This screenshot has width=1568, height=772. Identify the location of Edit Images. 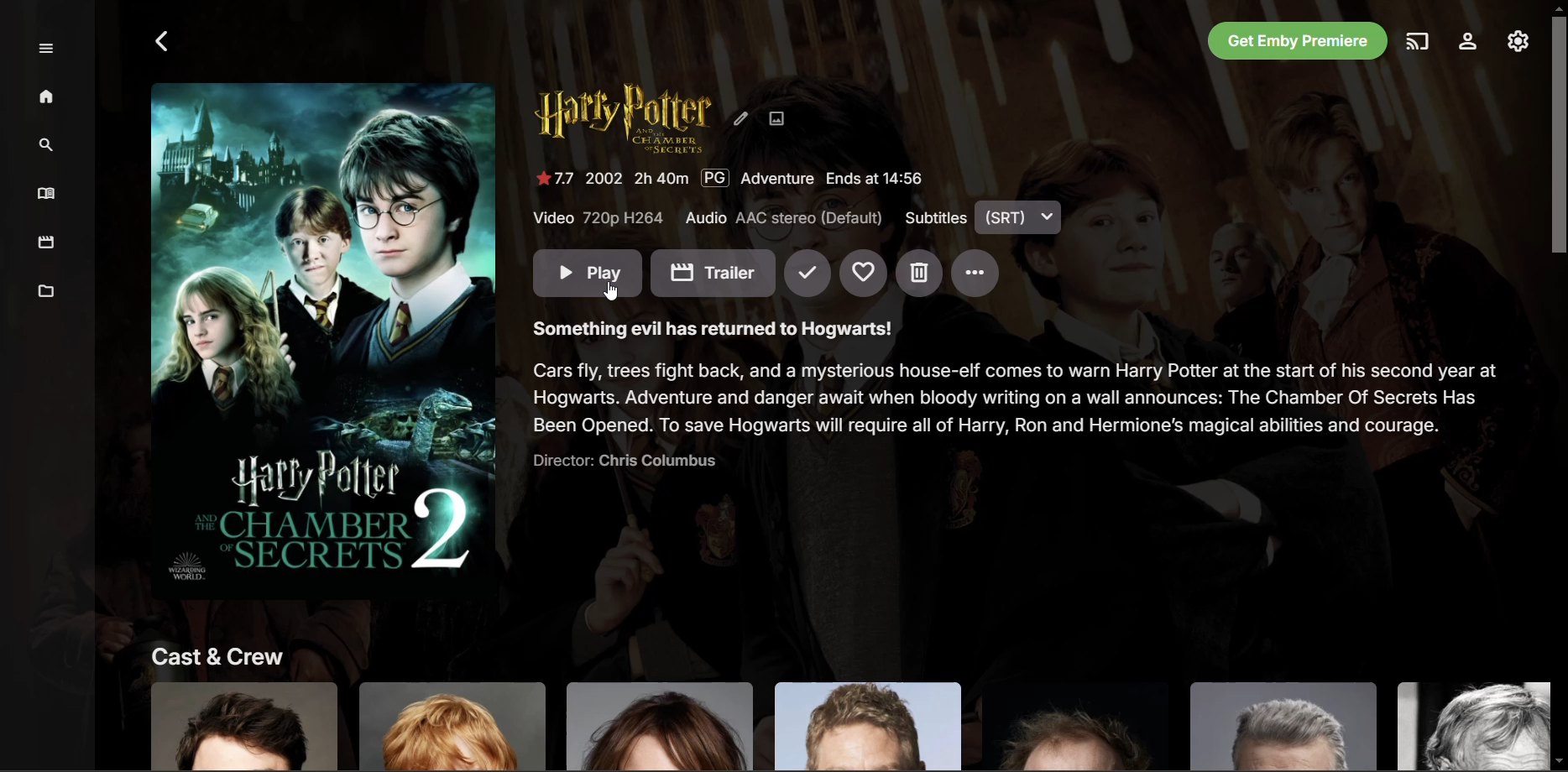
(780, 119).